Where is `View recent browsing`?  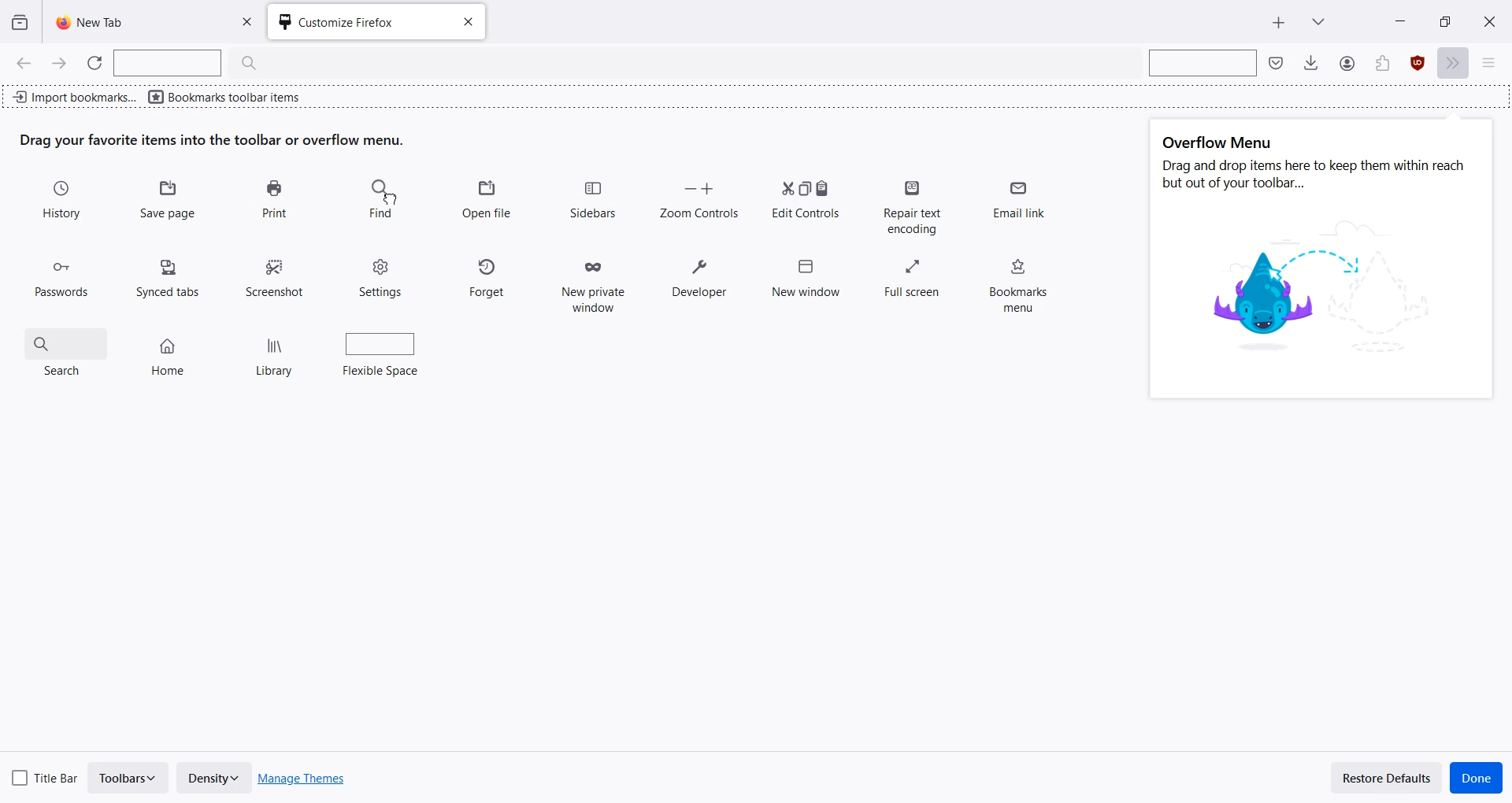
View recent browsing is located at coordinates (20, 23).